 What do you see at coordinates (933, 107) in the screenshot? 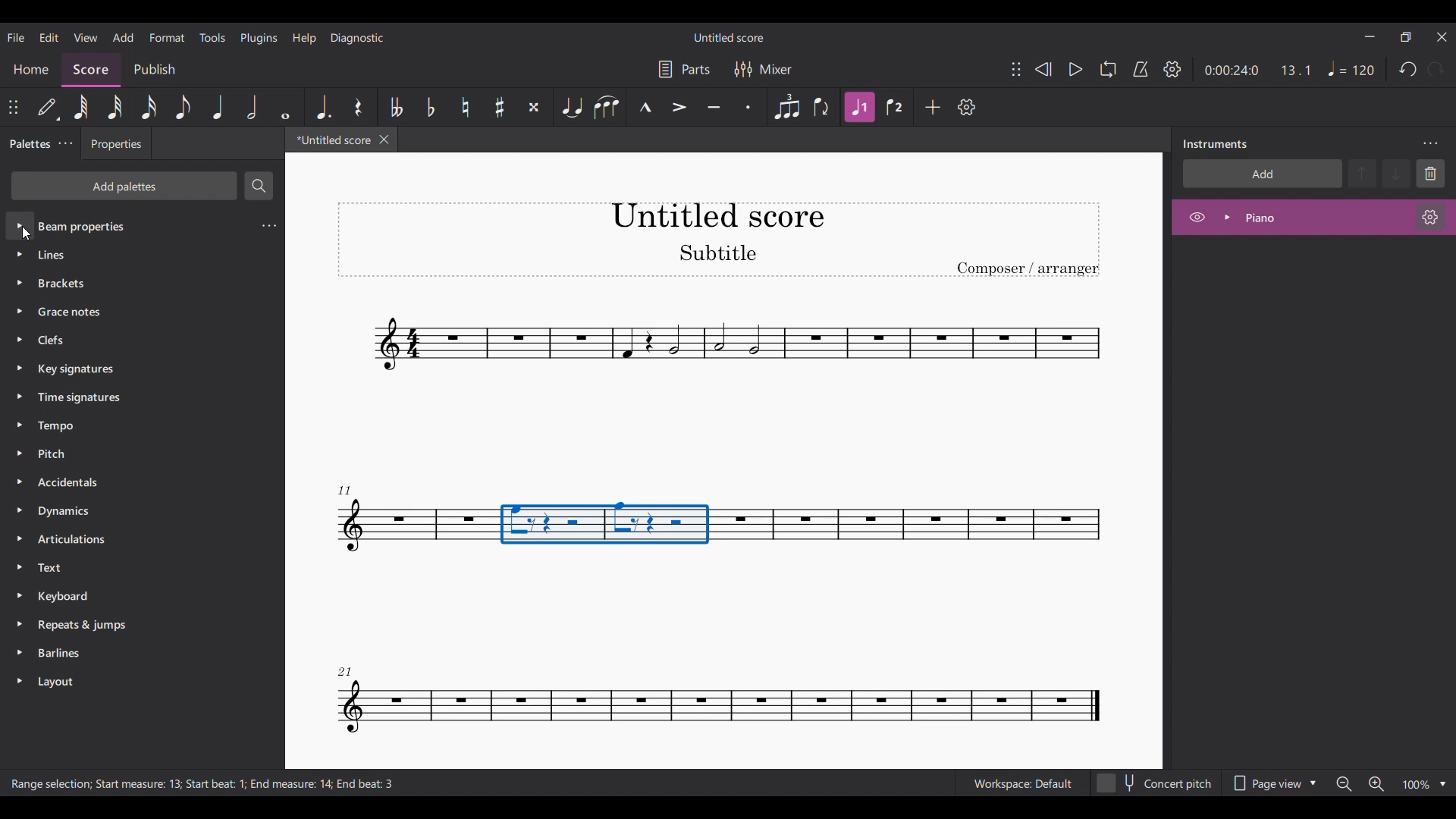
I see `Add` at bounding box center [933, 107].